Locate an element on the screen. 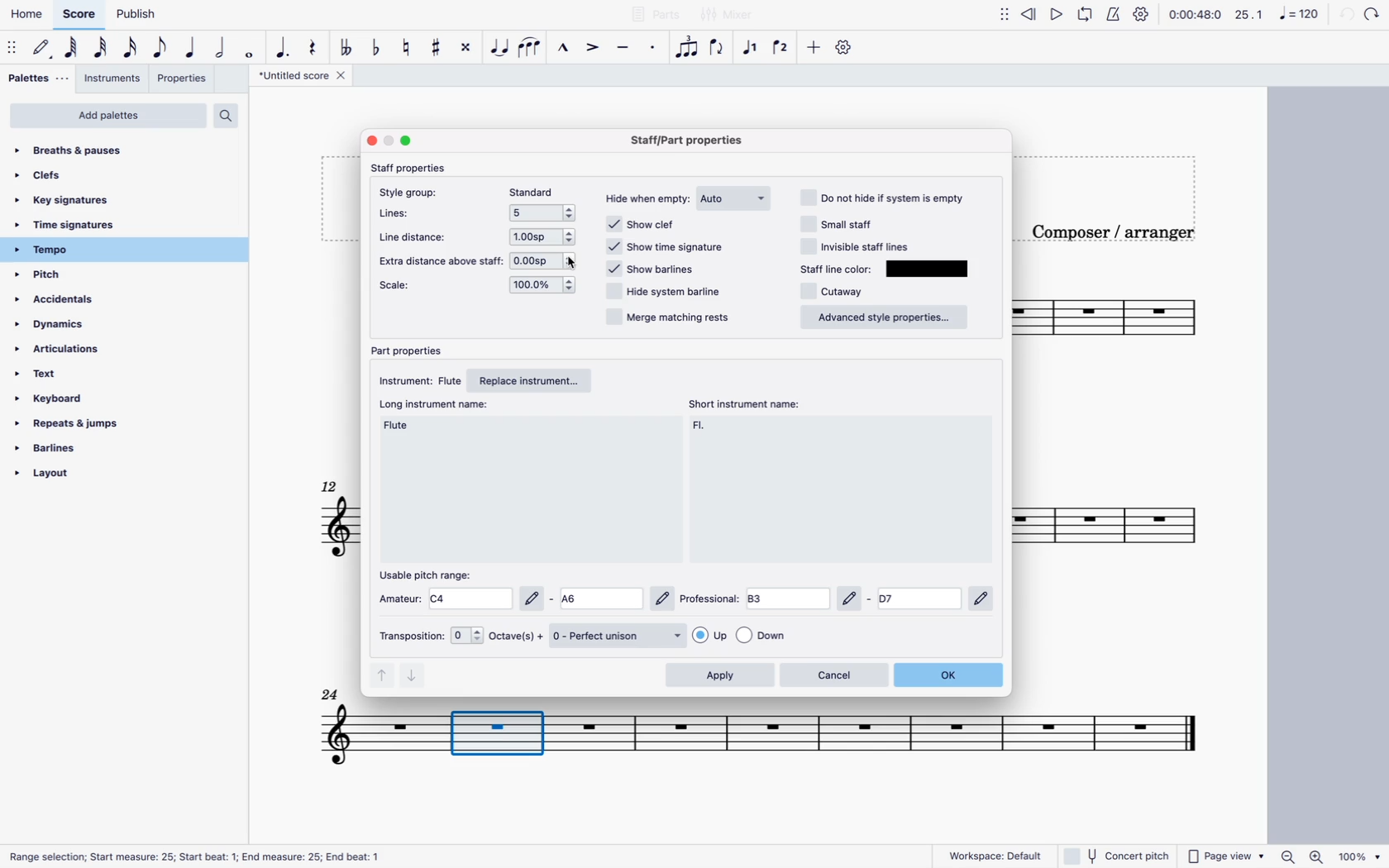  short instrument name is located at coordinates (752, 403).